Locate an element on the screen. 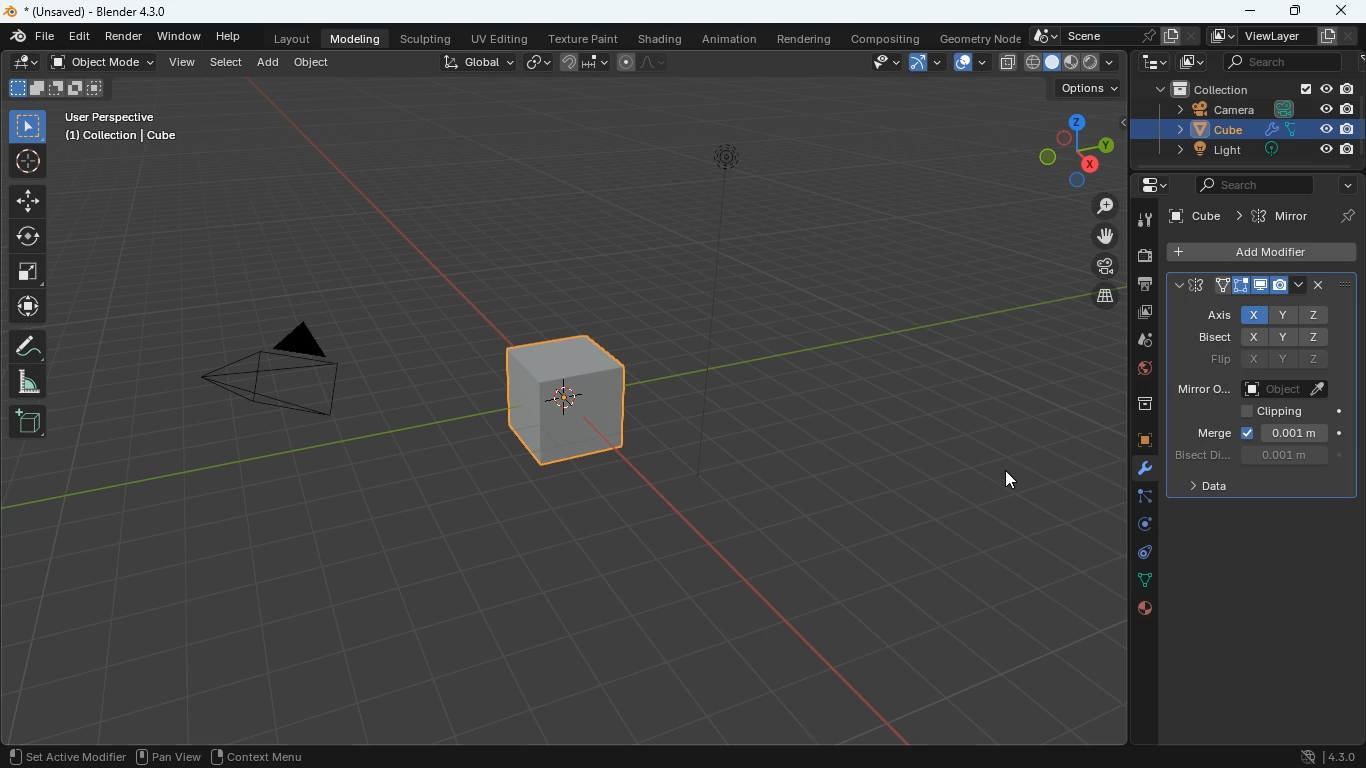 The image size is (1366, 768). camera is located at coordinates (1096, 266).